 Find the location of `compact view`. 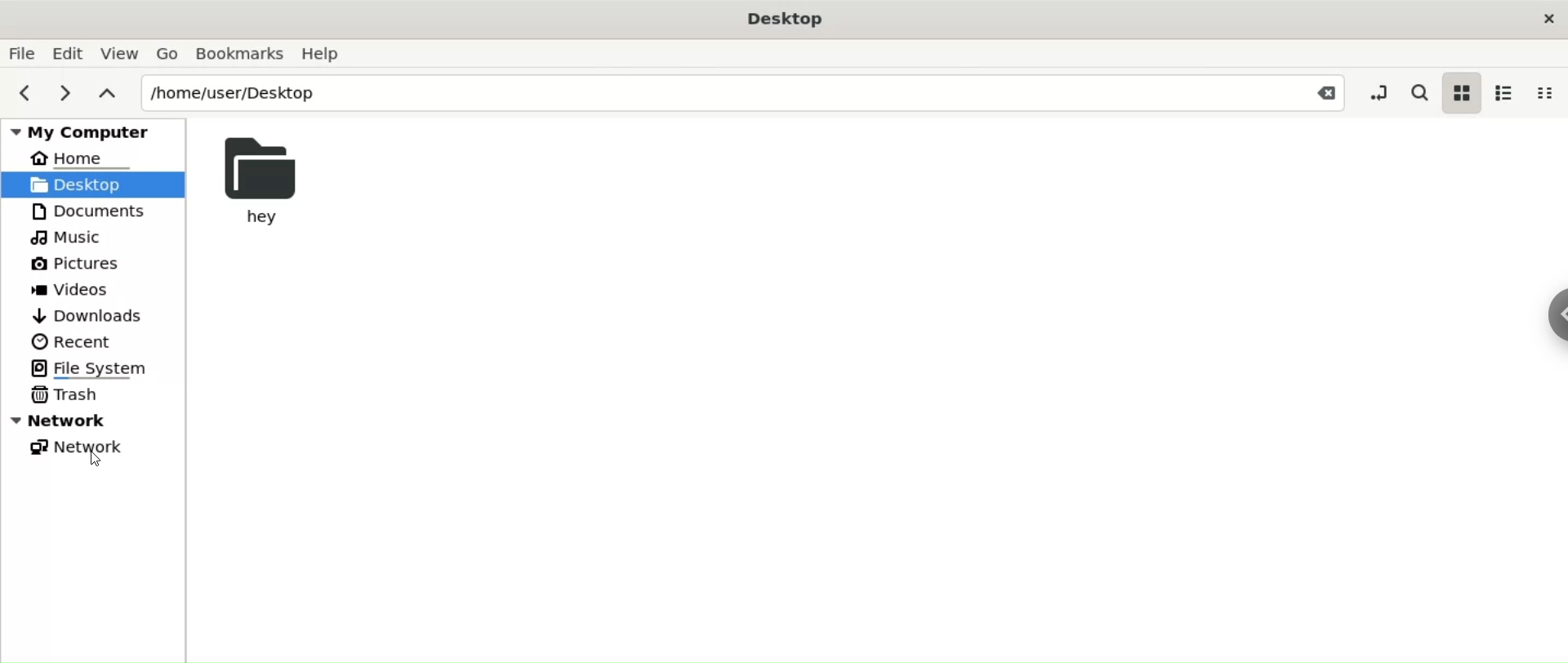

compact view is located at coordinates (1552, 94).